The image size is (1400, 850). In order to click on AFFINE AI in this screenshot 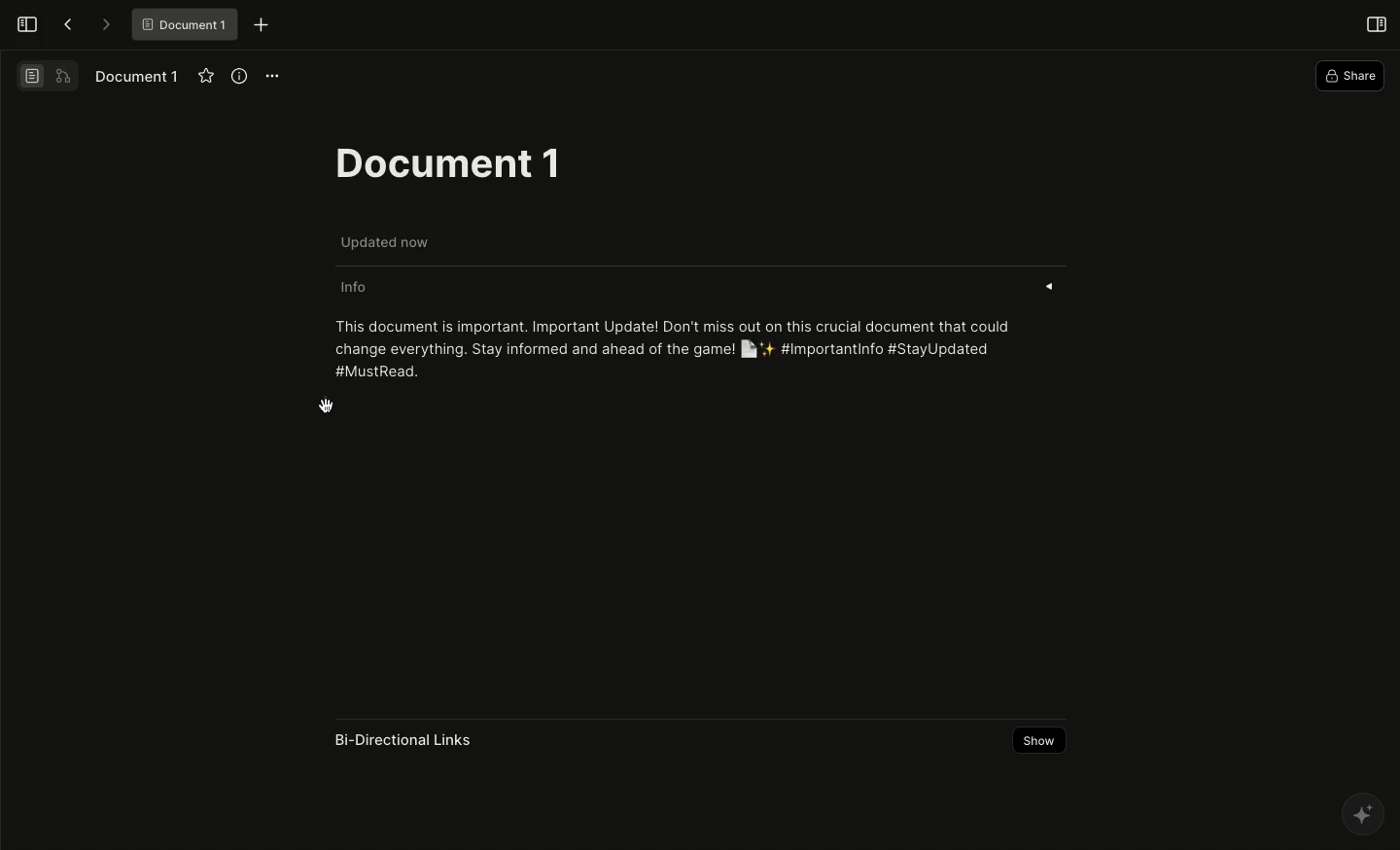, I will do `click(1360, 815)`.